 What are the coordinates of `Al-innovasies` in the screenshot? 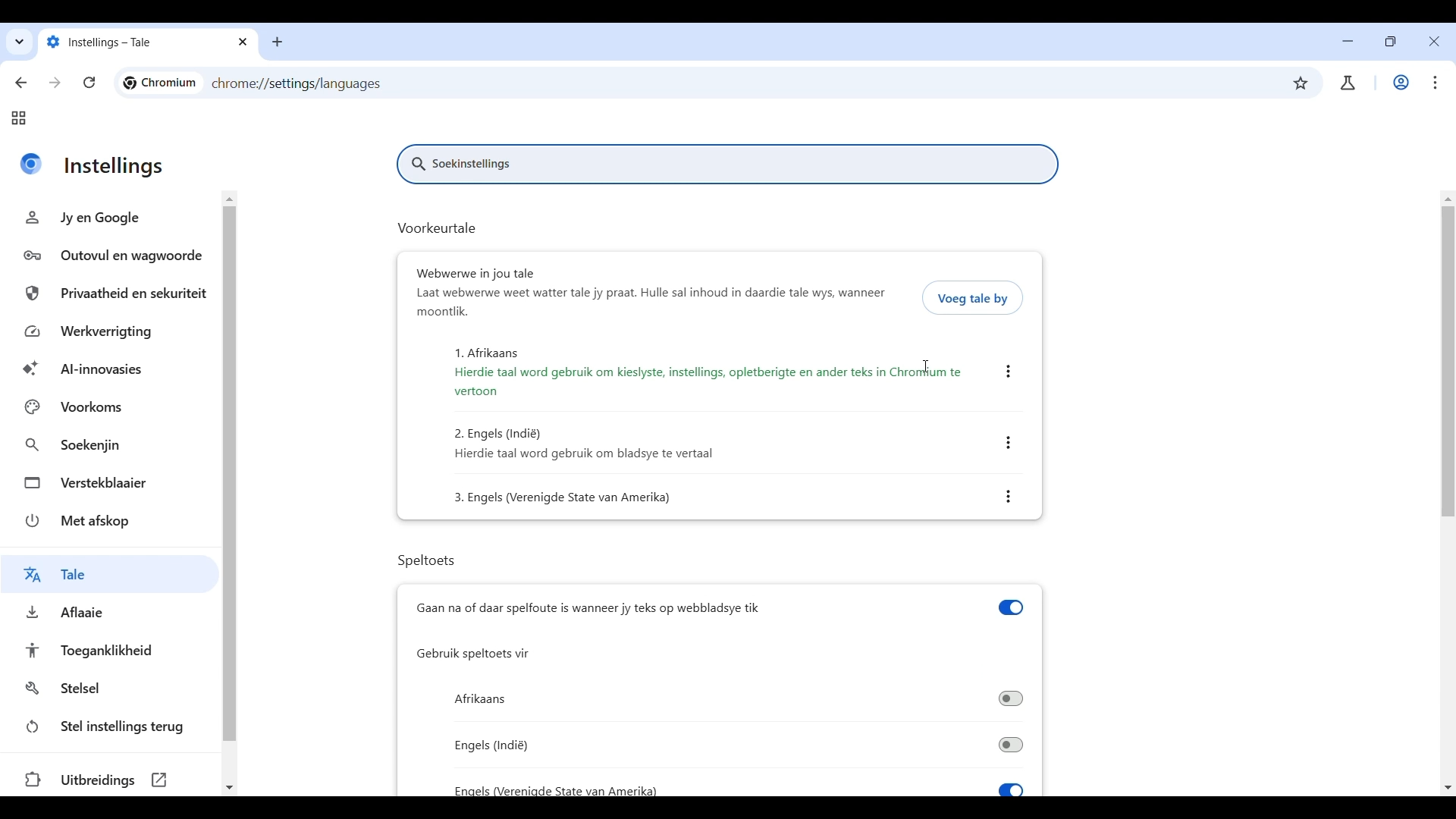 It's located at (95, 371).